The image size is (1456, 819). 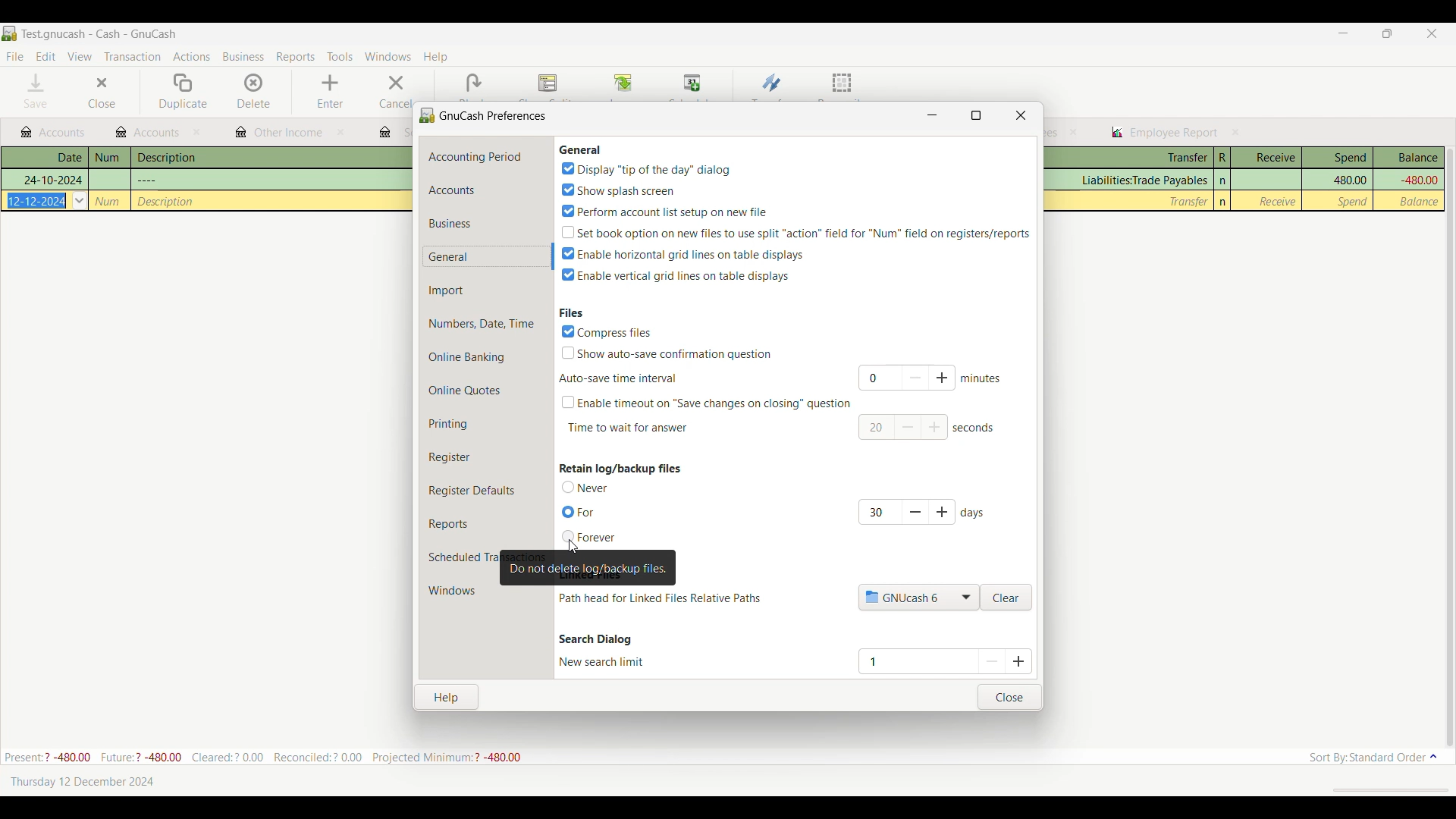 I want to click on Register, so click(x=485, y=457).